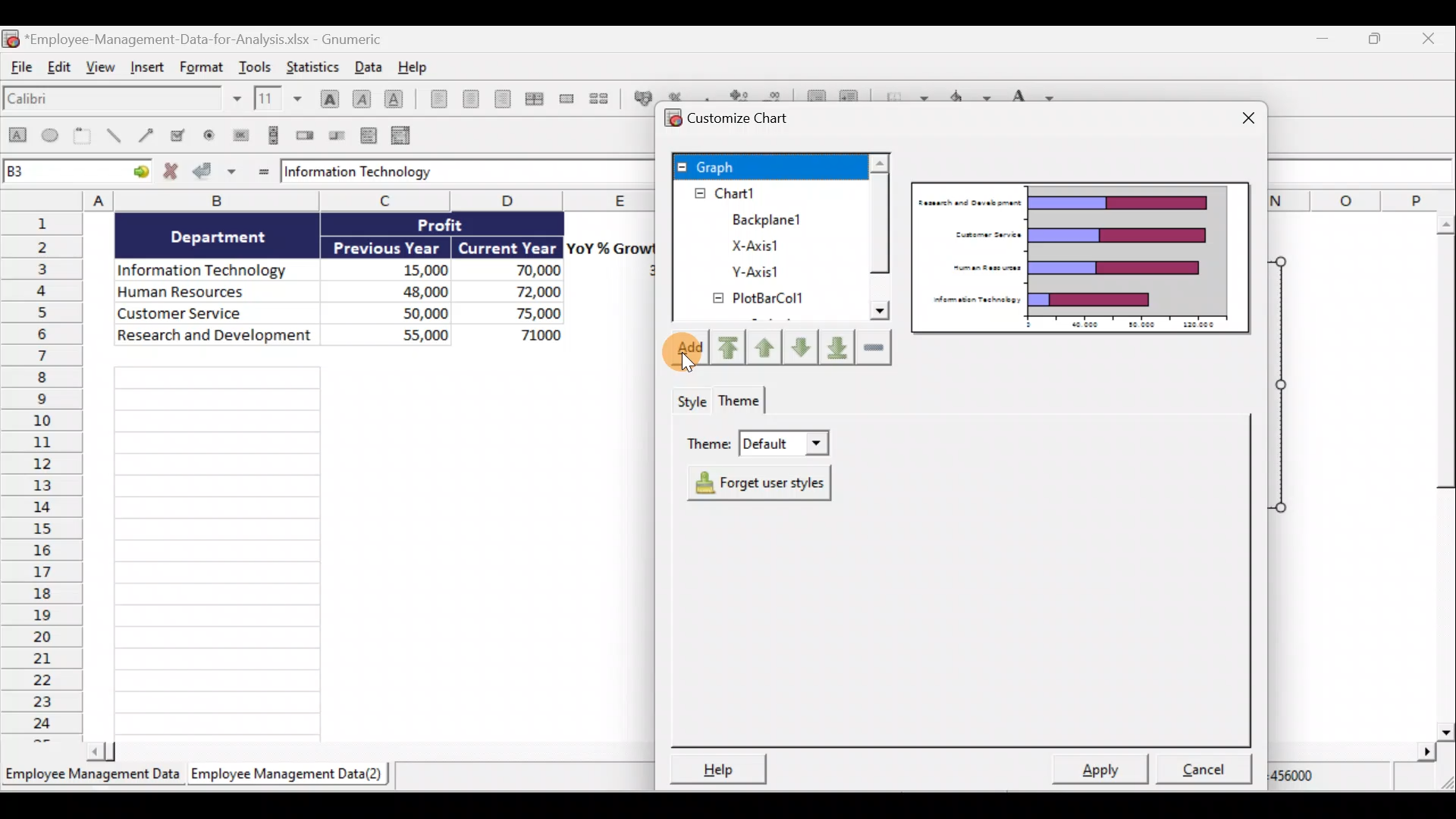  What do you see at coordinates (325, 199) in the screenshot?
I see `Columns` at bounding box center [325, 199].